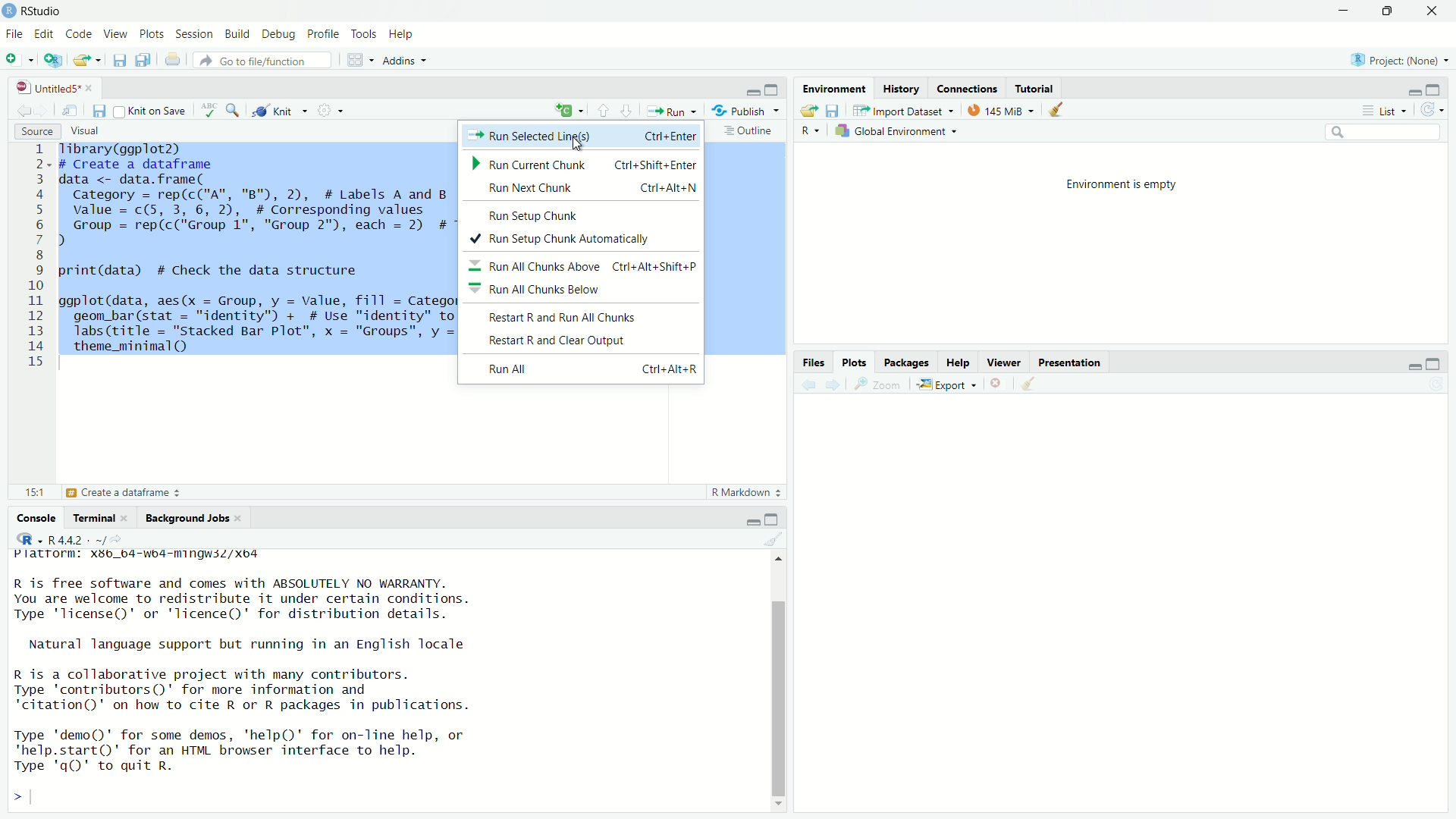 This screenshot has width=1456, height=819. What do you see at coordinates (89, 538) in the screenshot?
I see `R.4.4.2 ~/` at bounding box center [89, 538].